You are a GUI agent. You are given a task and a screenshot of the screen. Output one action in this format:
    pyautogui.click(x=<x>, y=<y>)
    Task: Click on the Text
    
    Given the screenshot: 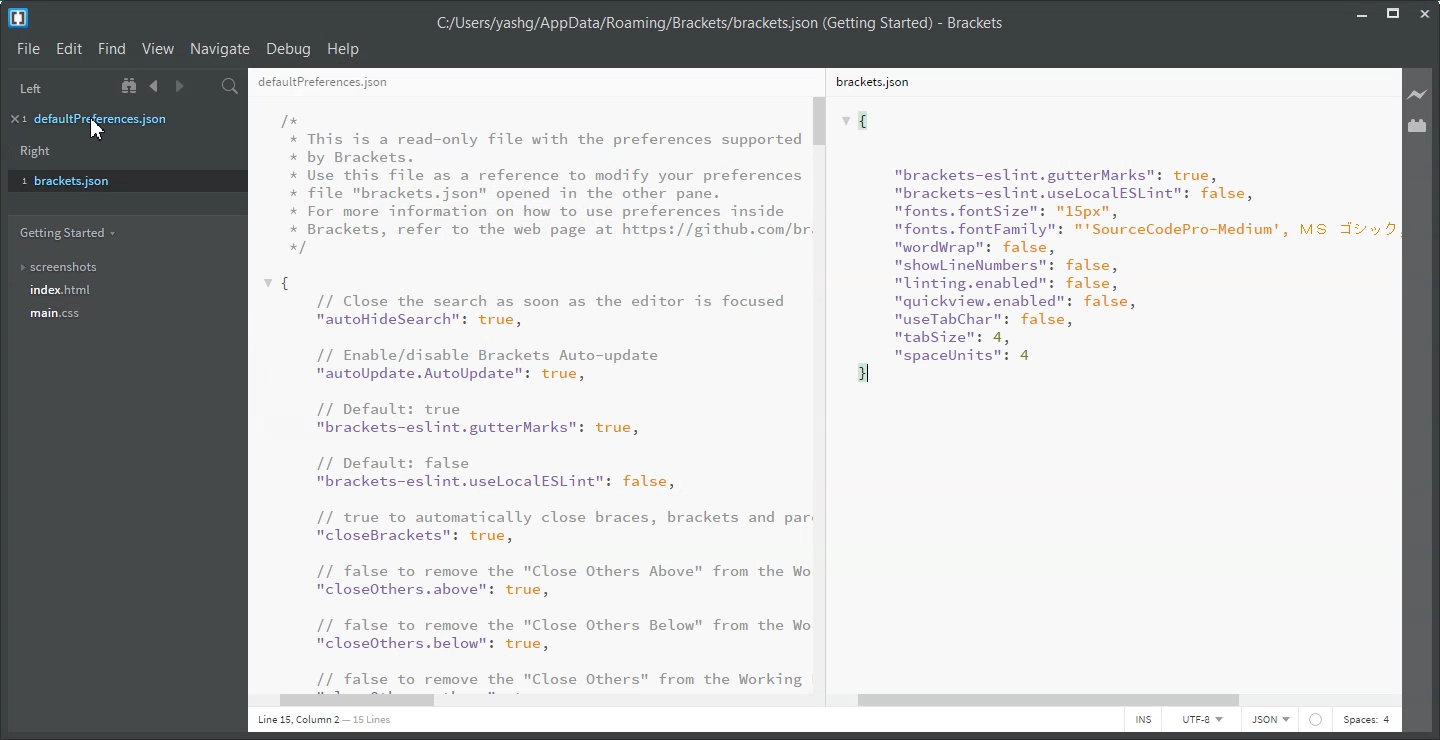 What is the action you would take?
    pyautogui.click(x=1106, y=392)
    